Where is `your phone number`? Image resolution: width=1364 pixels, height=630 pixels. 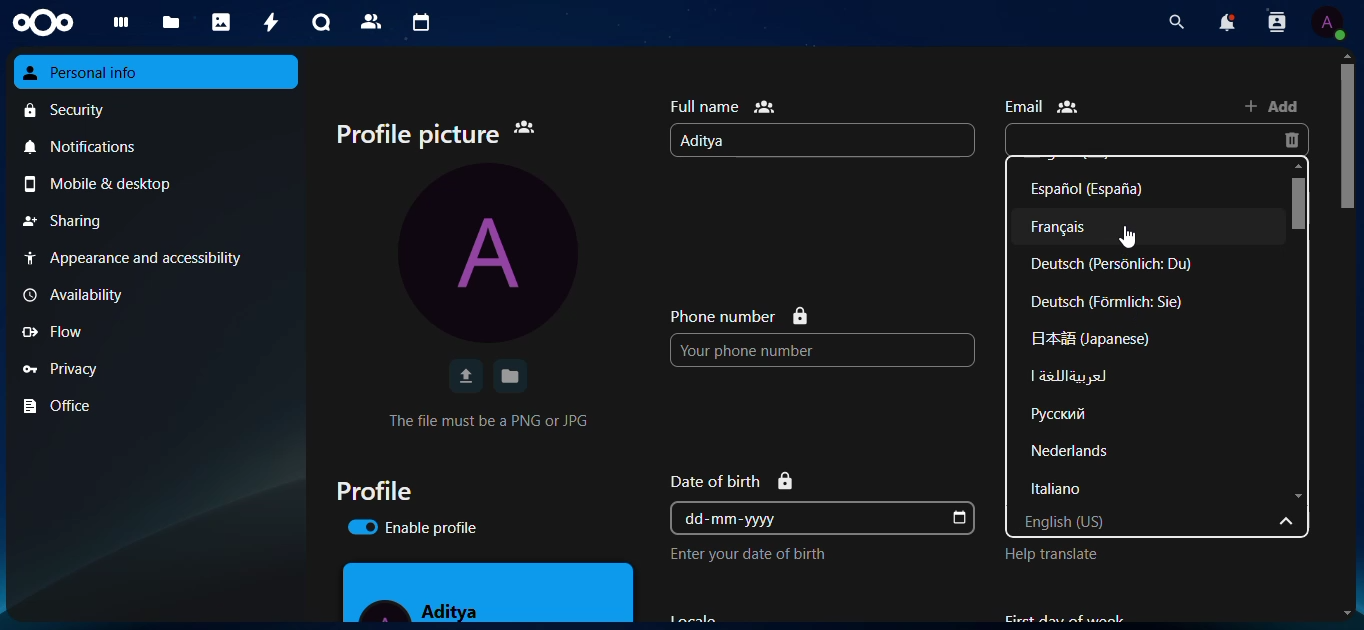
your phone number is located at coordinates (778, 350).